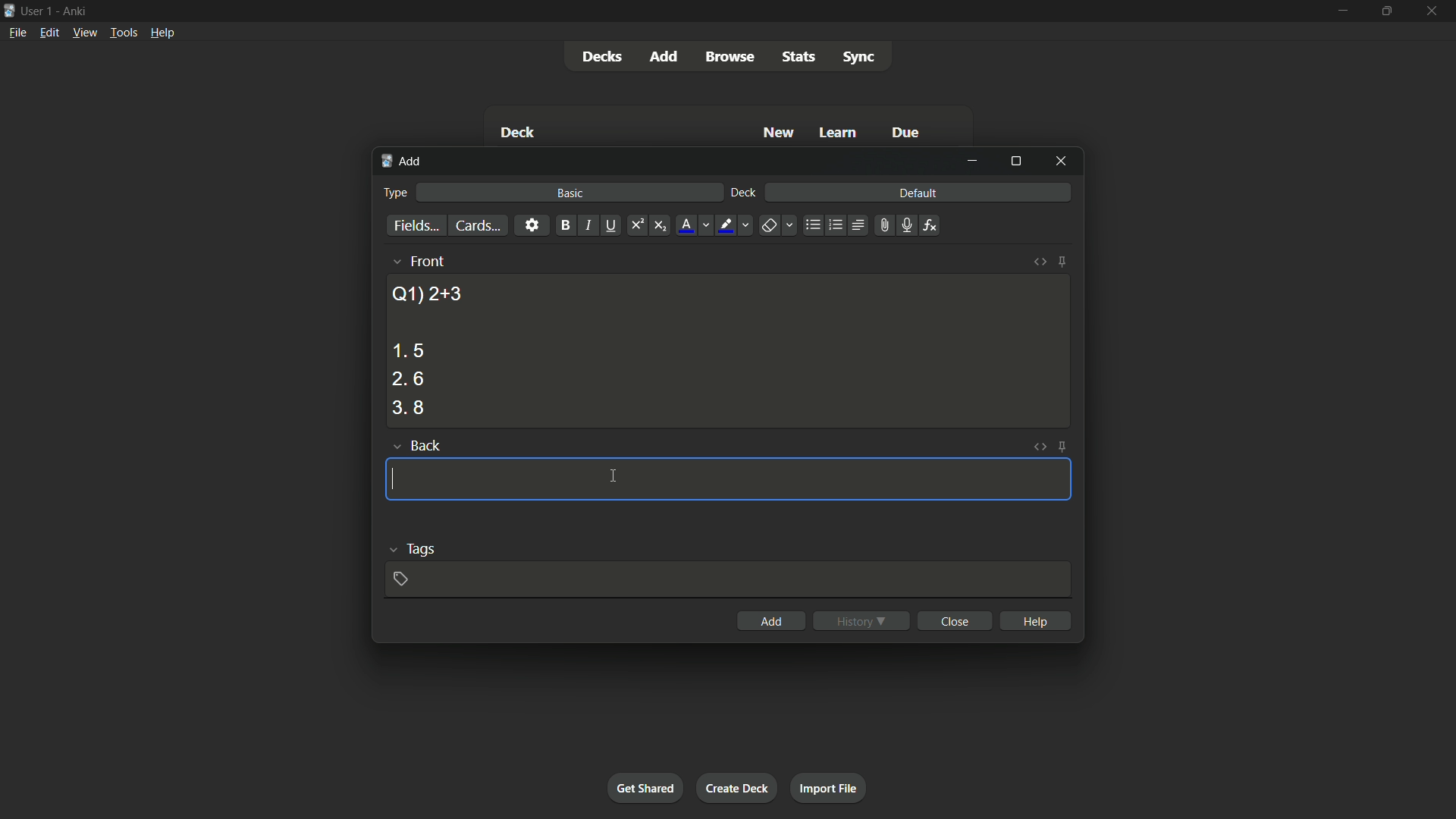 This screenshot has height=819, width=1456. Describe the element at coordinates (972, 161) in the screenshot. I see `minimize` at that location.